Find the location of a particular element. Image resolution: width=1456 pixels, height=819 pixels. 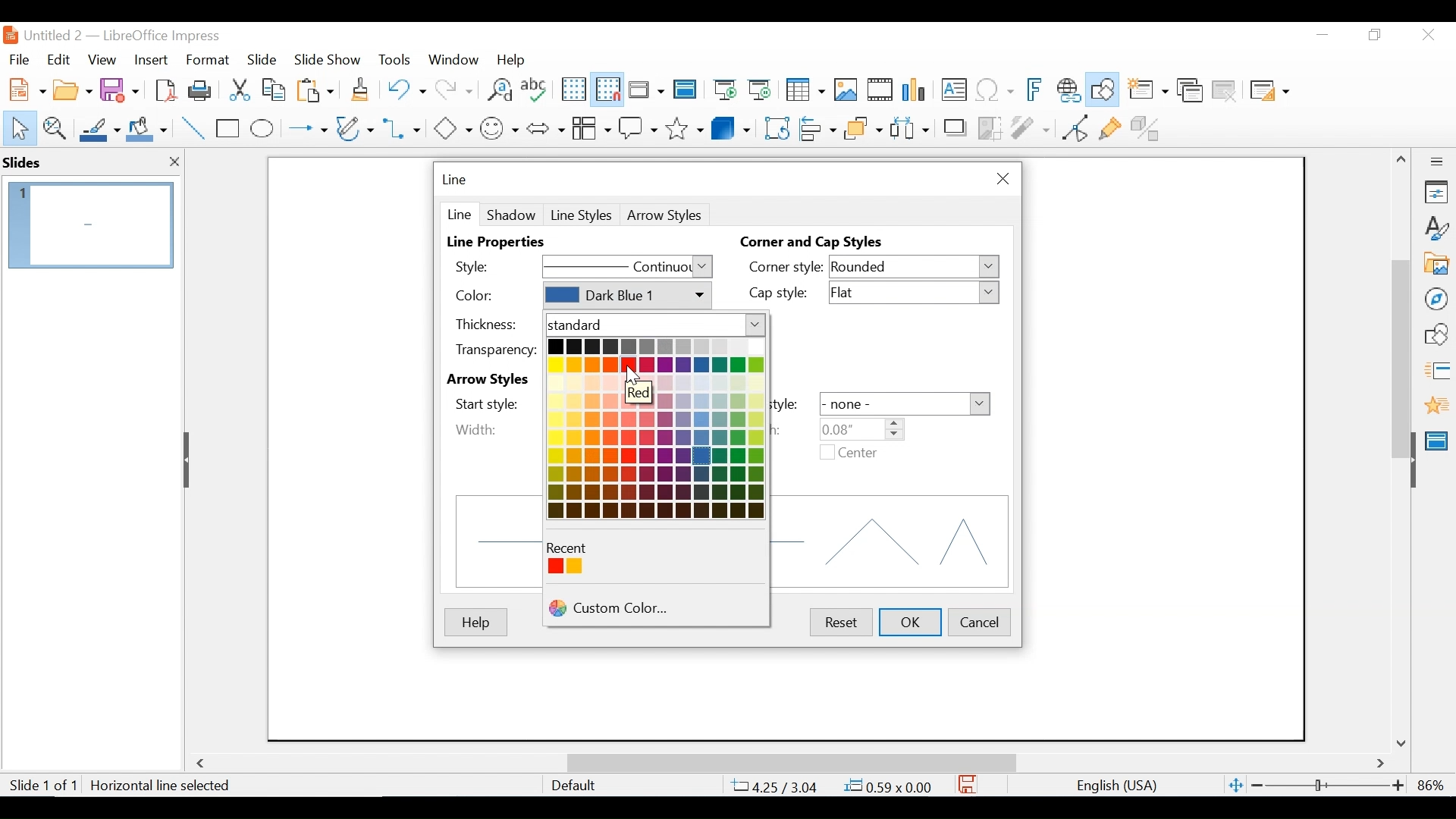

Connectors is located at coordinates (403, 128).